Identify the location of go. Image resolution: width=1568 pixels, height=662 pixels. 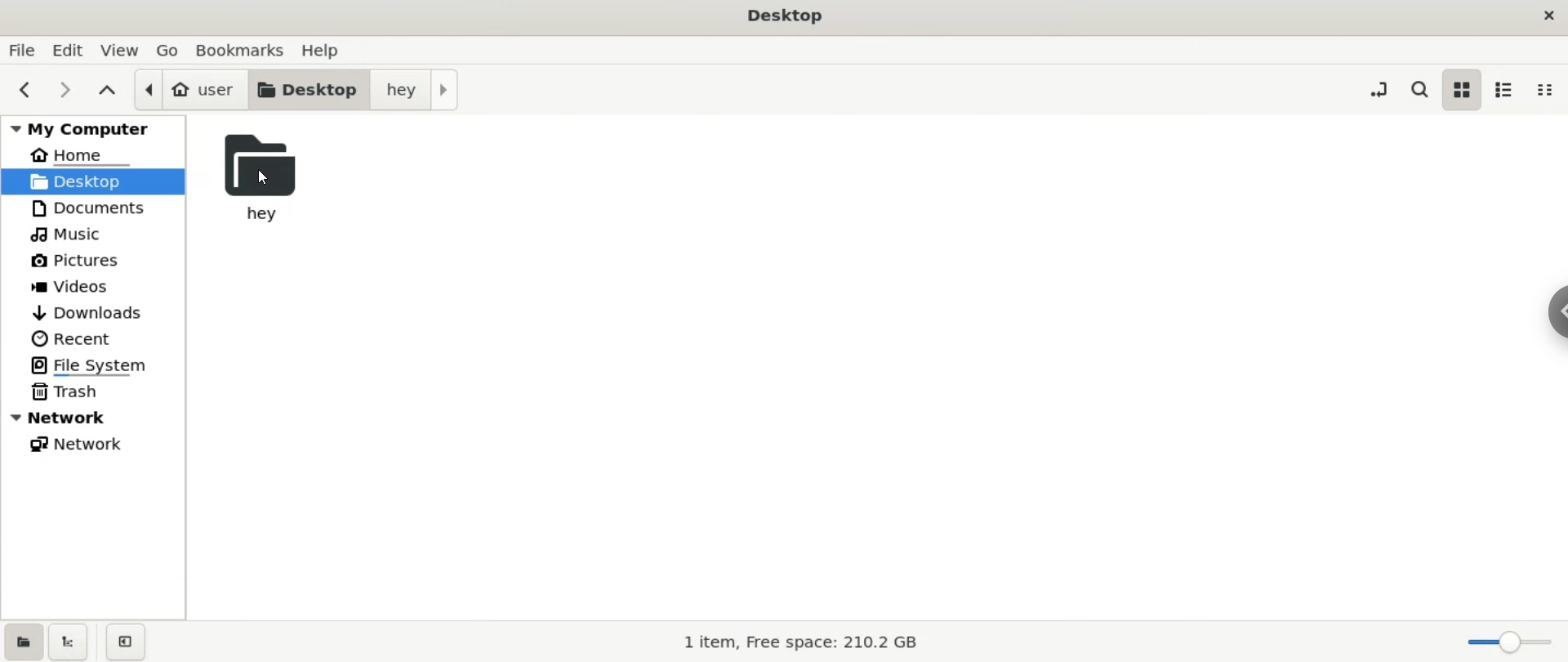
(168, 51).